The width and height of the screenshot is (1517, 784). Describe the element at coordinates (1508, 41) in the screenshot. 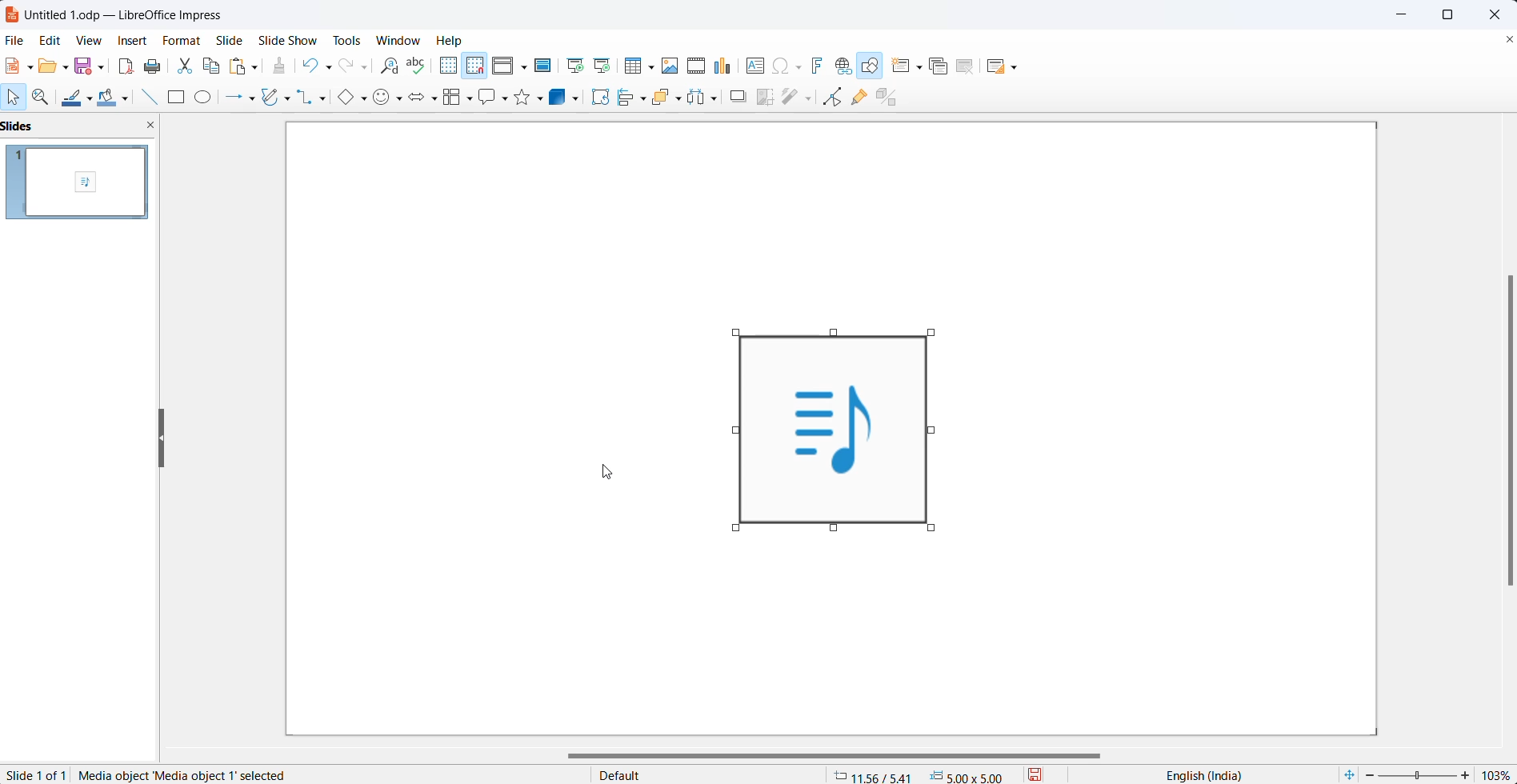

I see `close document` at that location.